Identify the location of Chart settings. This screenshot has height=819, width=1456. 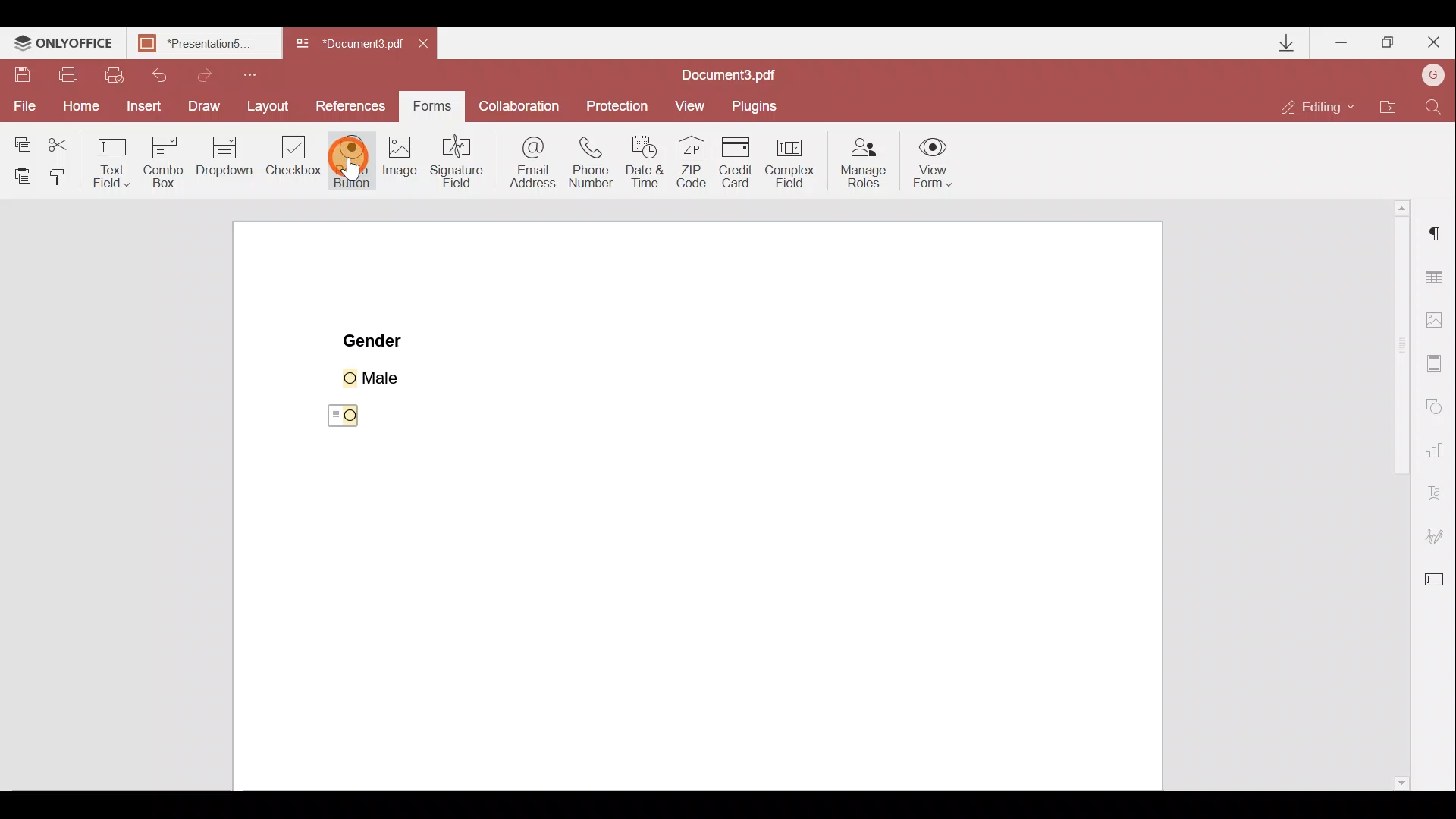
(1437, 456).